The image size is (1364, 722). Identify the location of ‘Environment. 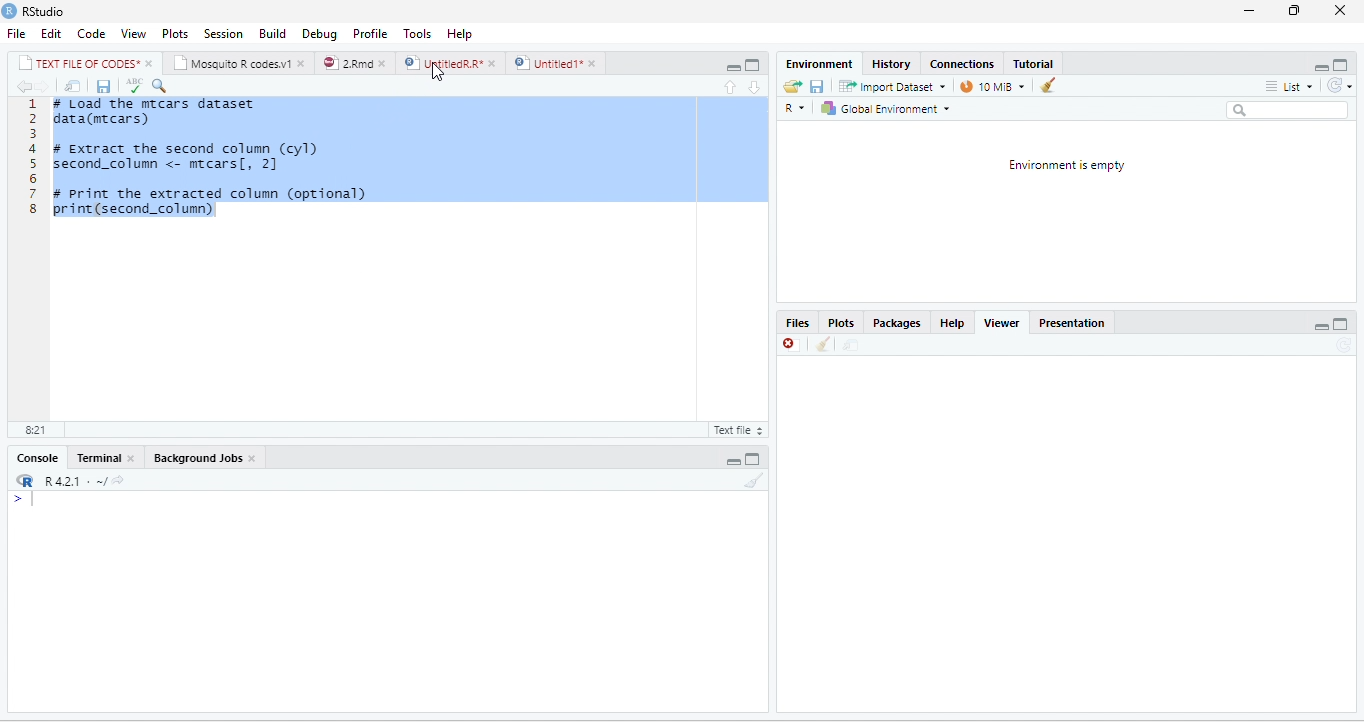
(817, 64).